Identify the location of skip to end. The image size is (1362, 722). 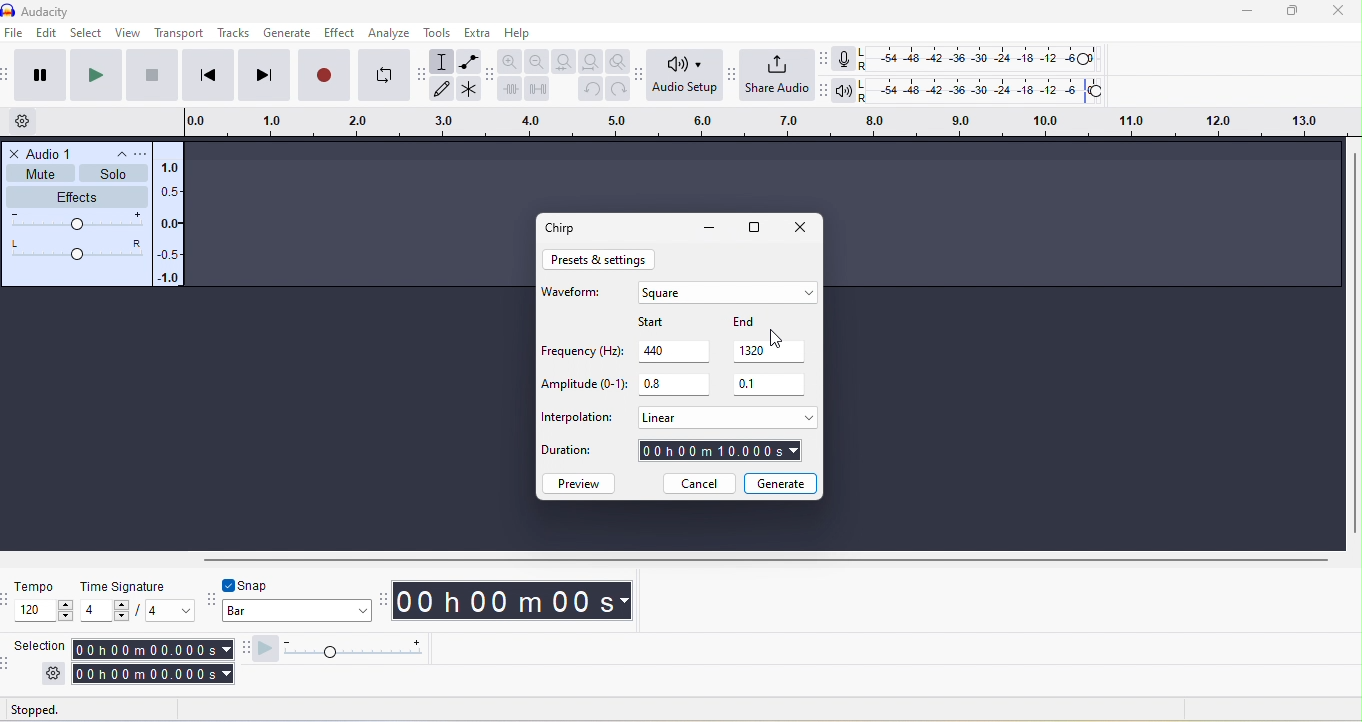
(263, 76).